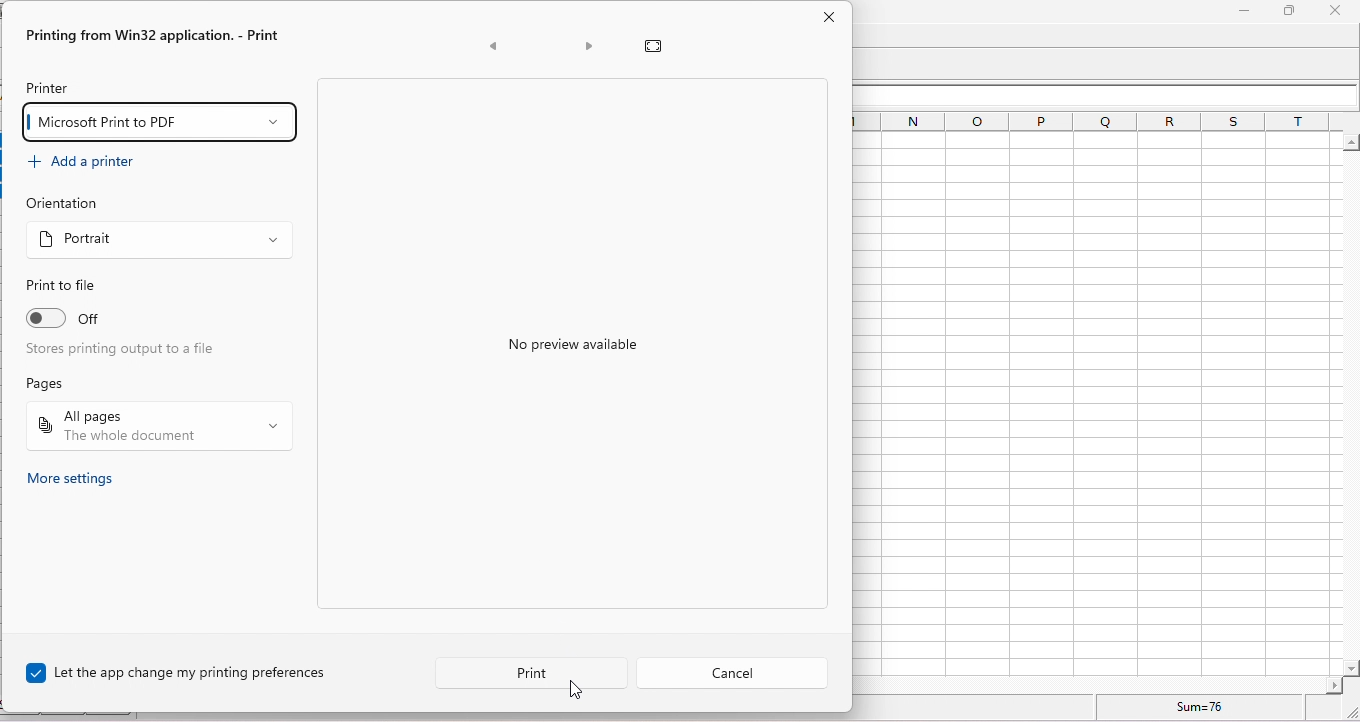 The height and width of the screenshot is (722, 1360). I want to click on printing preferences, so click(190, 672).